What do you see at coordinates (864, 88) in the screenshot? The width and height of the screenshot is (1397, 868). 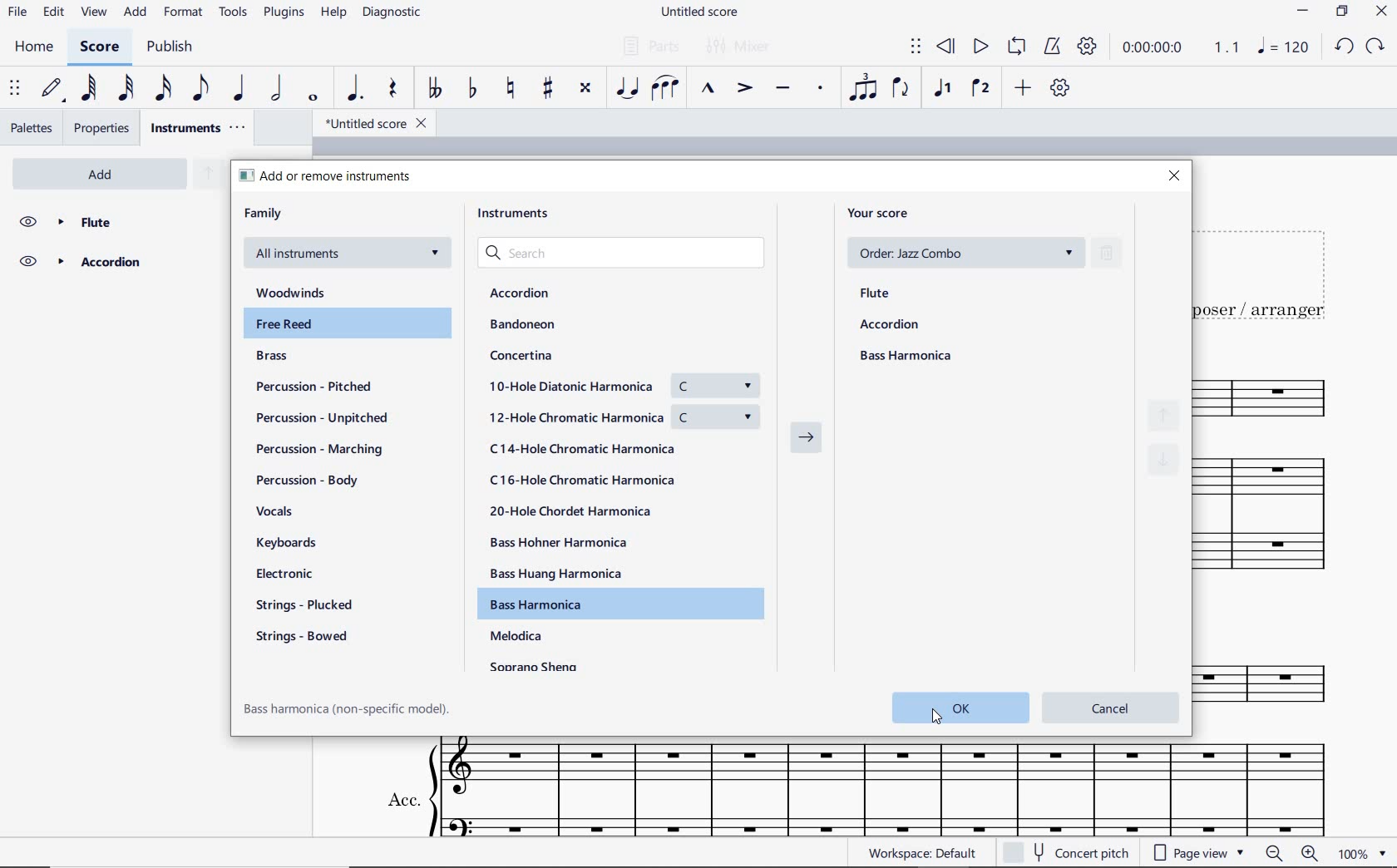 I see `tuplet` at bounding box center [864, 88].